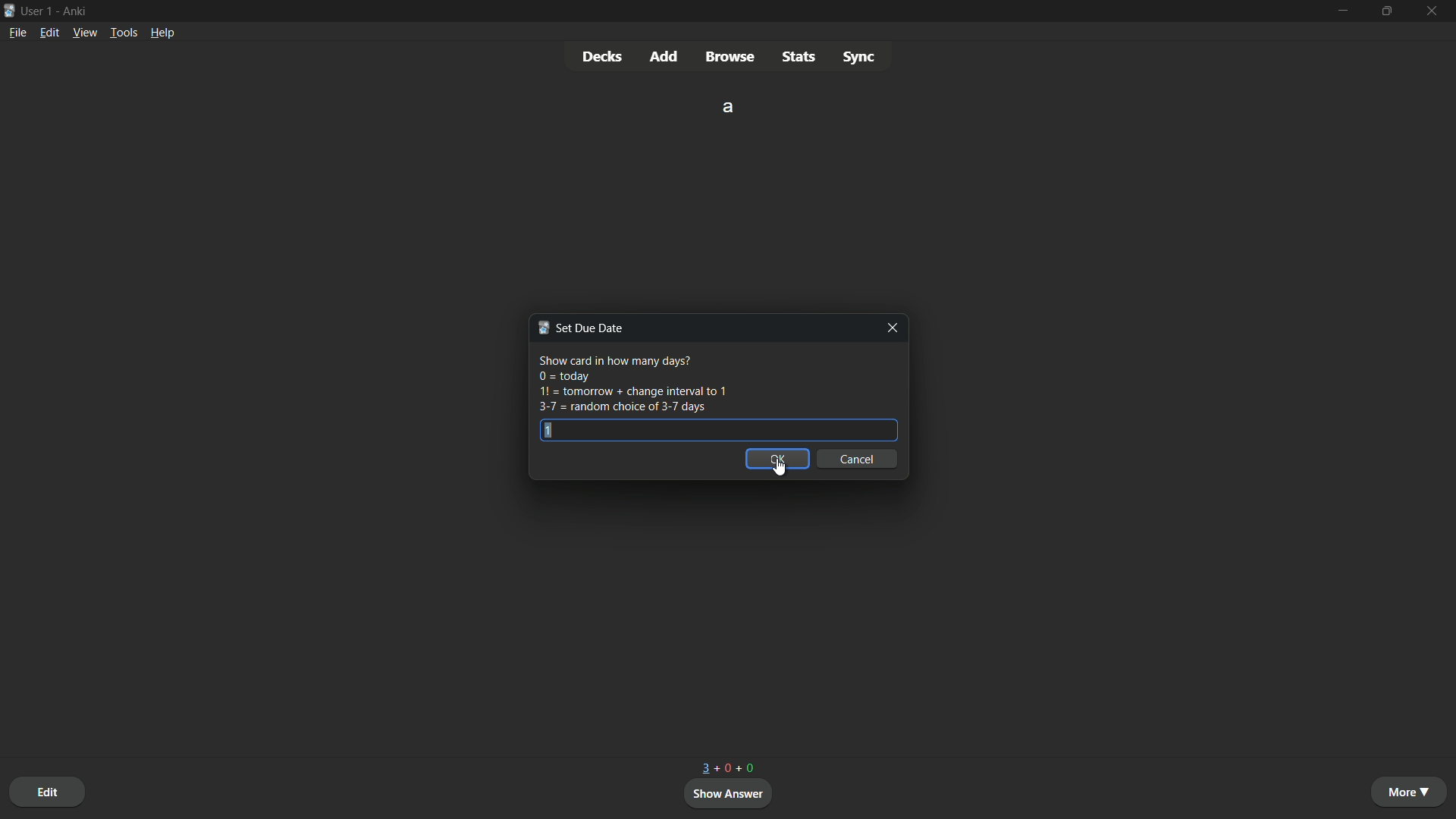 The image size is (1456, 819). What do you see at coordinates (859, 55) in the screenshot?
I see `sync` at bounding box center [859, 55].